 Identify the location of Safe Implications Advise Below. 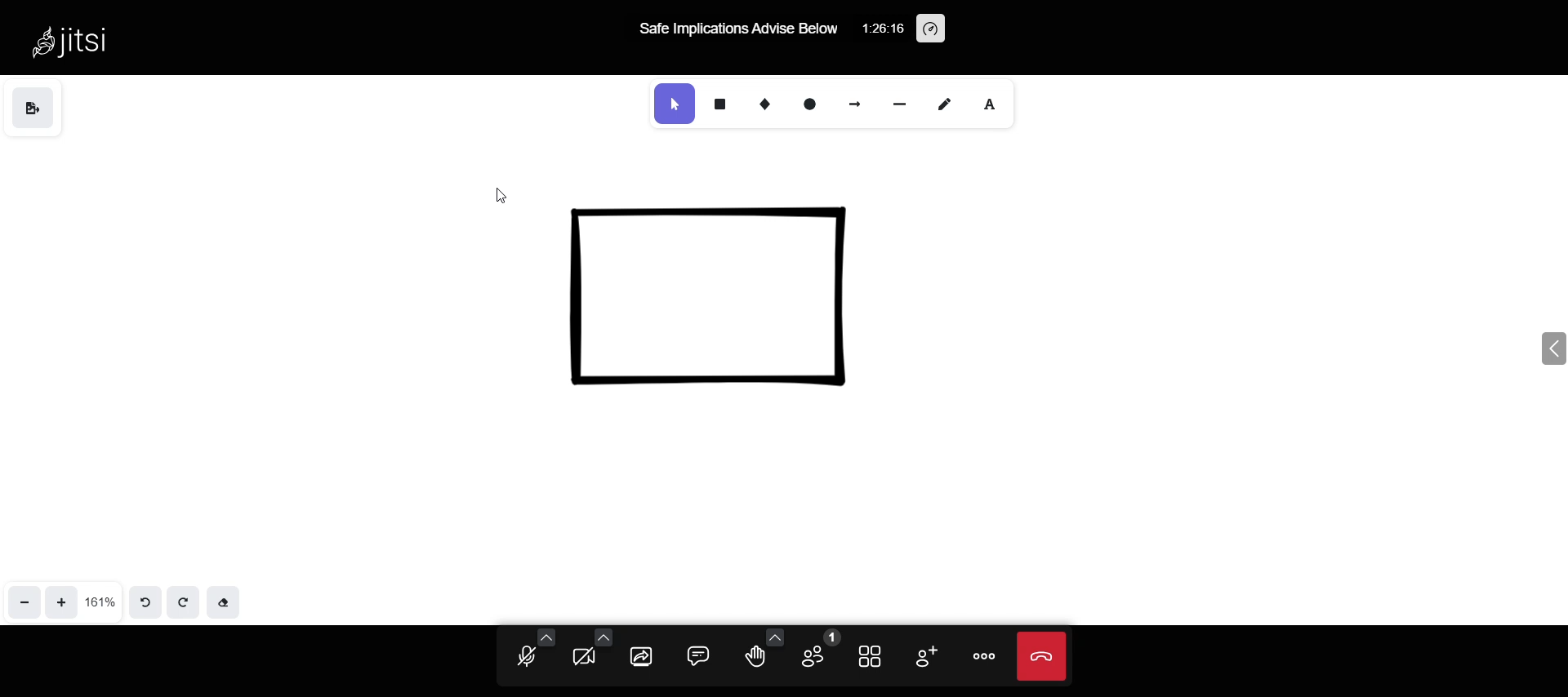
(736, 33).